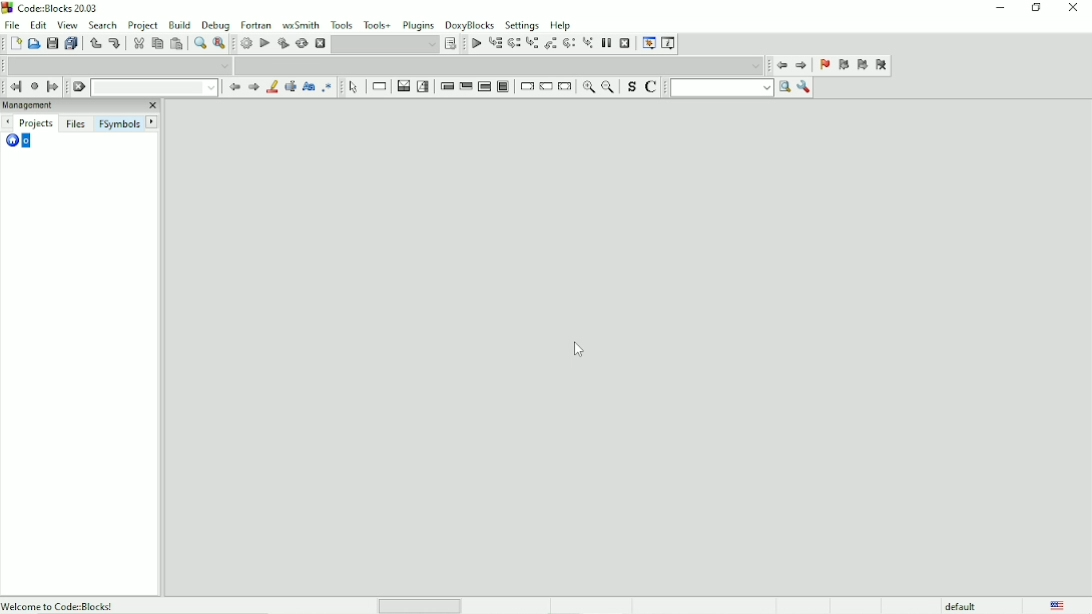 The image size is (1092, 614). I want to click on Jump back, so click(13, 86).